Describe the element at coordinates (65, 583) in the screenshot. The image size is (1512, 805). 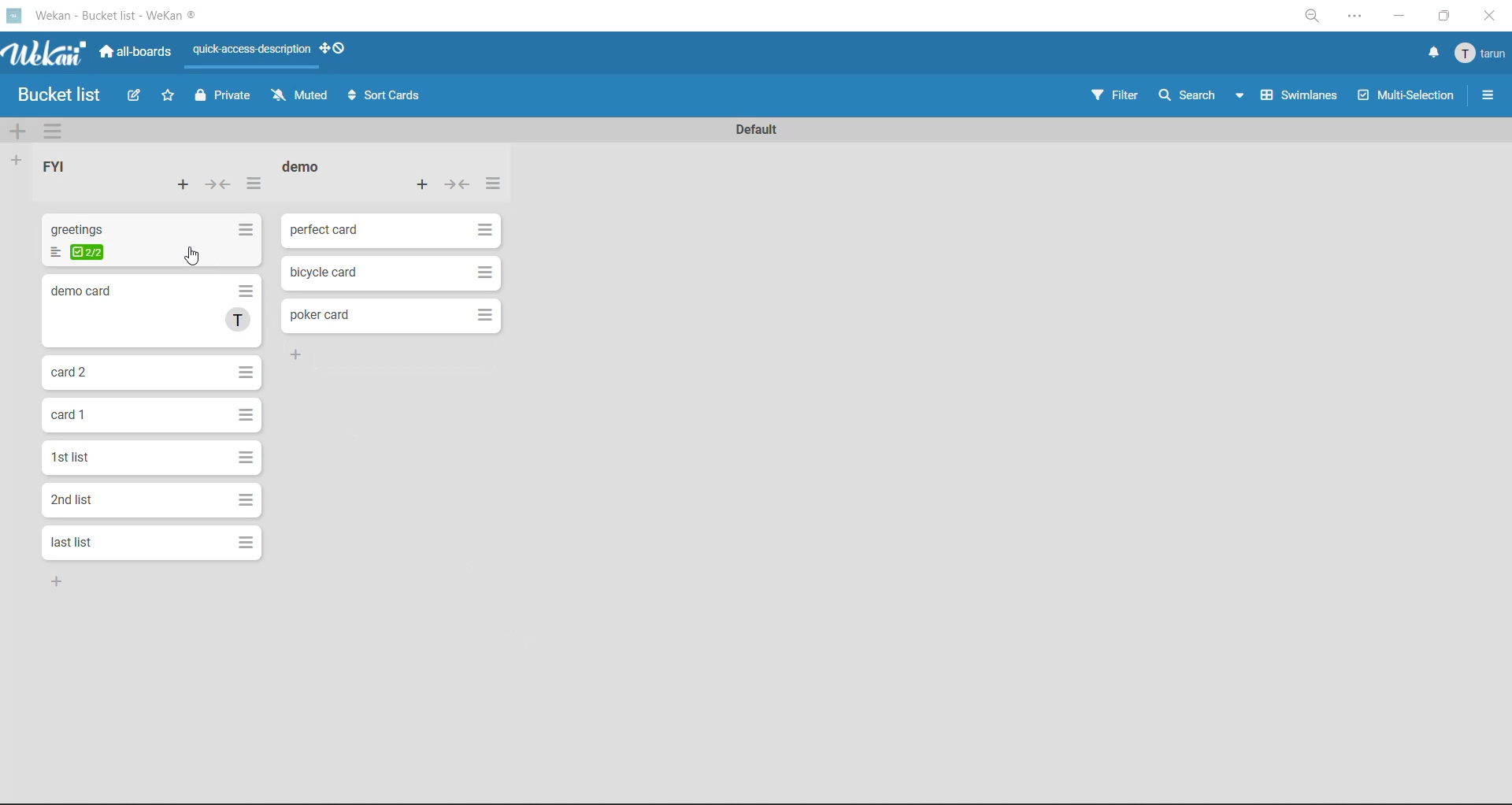
I see `add` at that location.